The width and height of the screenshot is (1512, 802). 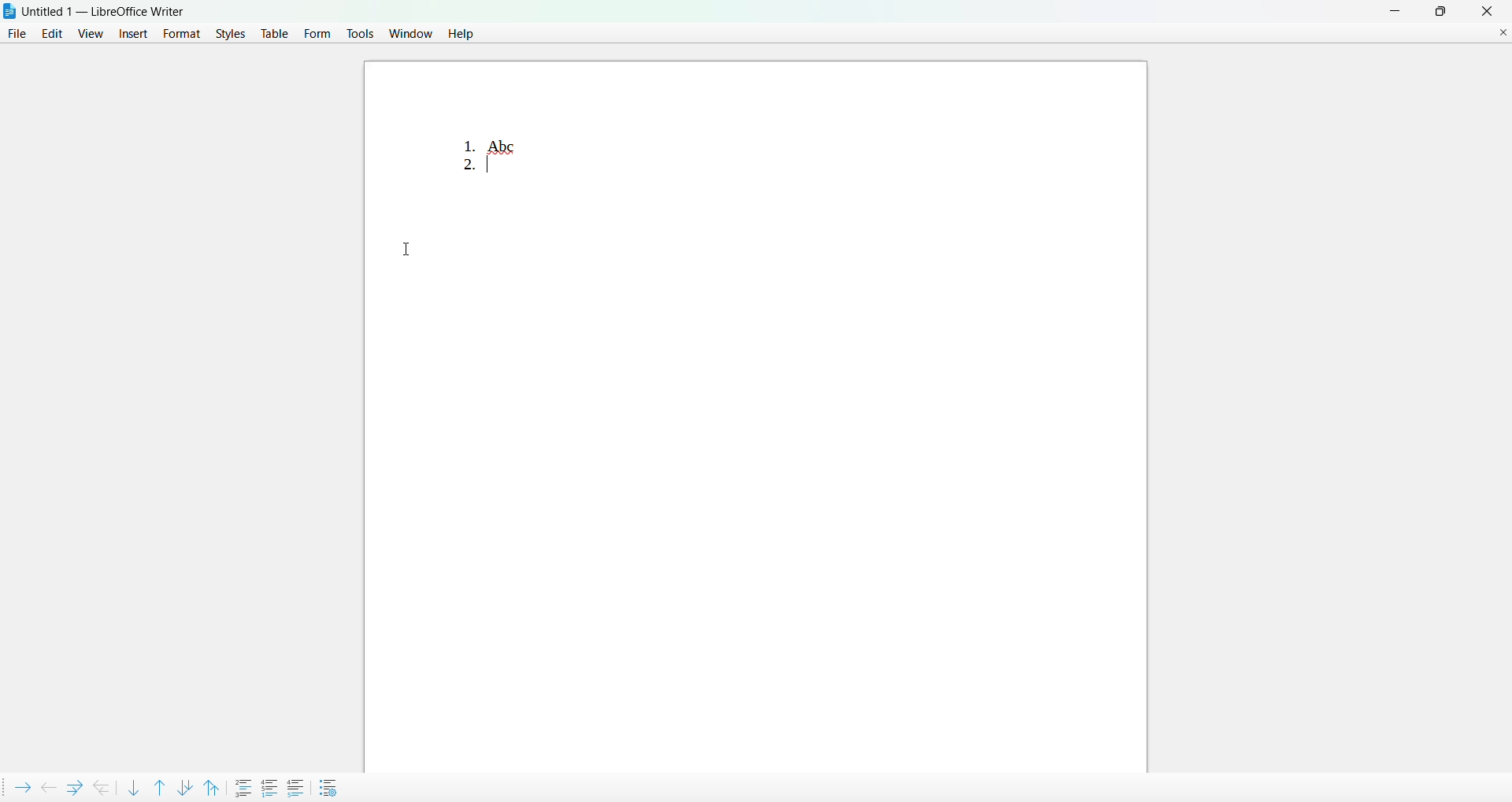 I want to click on move items up with subpoints, so click(x=216, y=786).